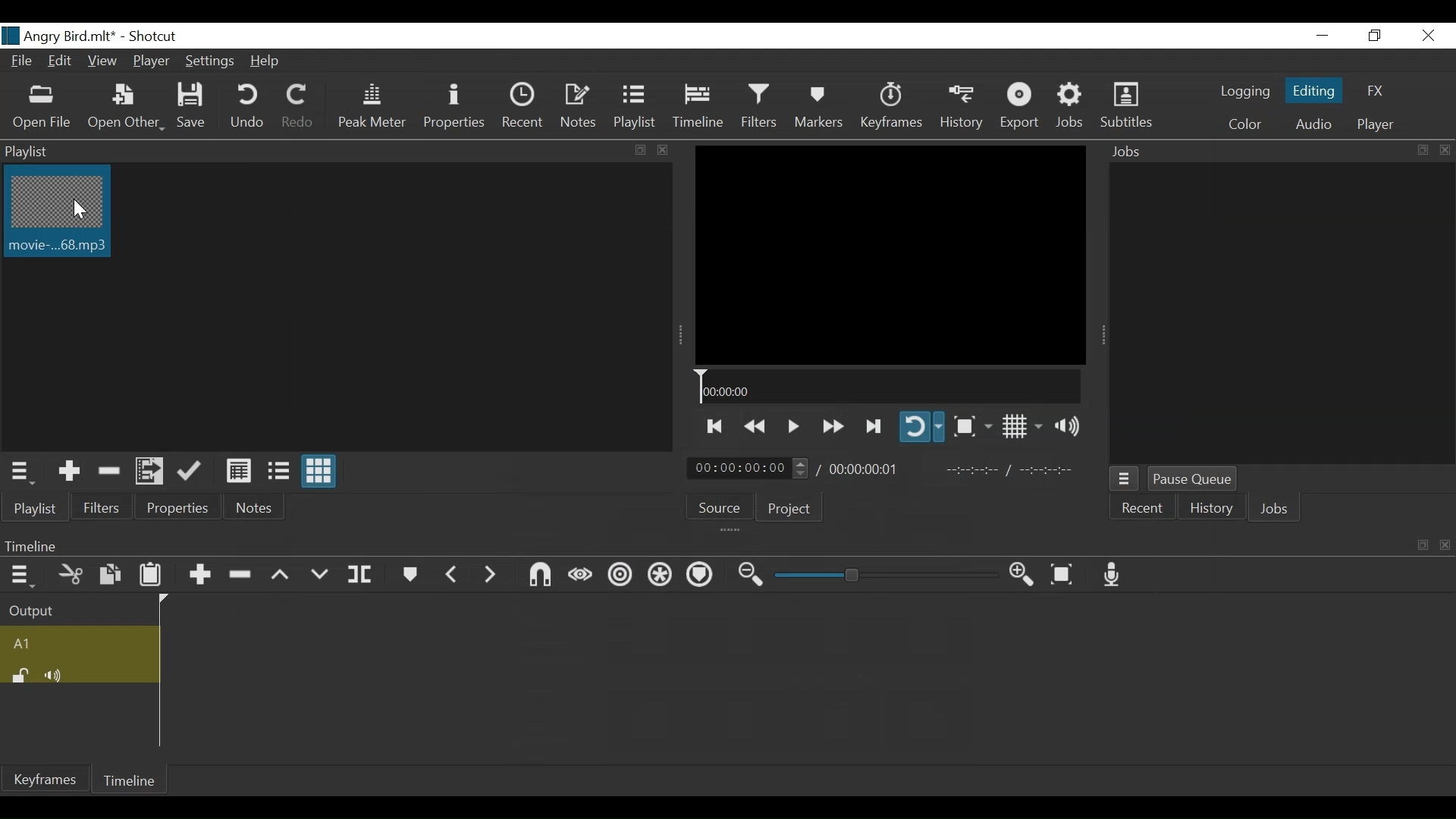  Describe the element at coordinates (660, 149) in the screenshot. I see `close` at that location.